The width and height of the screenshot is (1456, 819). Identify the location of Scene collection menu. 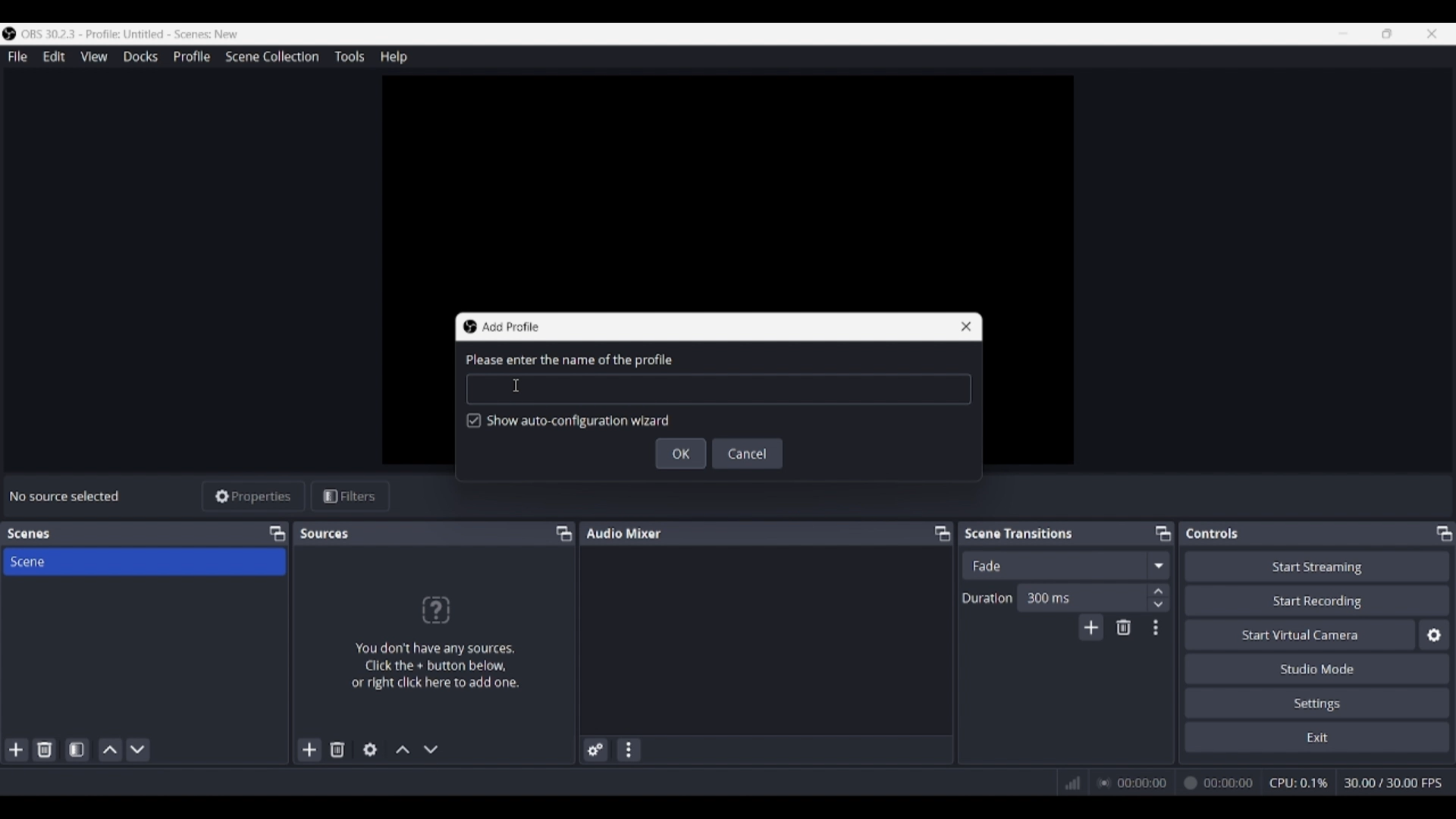
(271, 56).